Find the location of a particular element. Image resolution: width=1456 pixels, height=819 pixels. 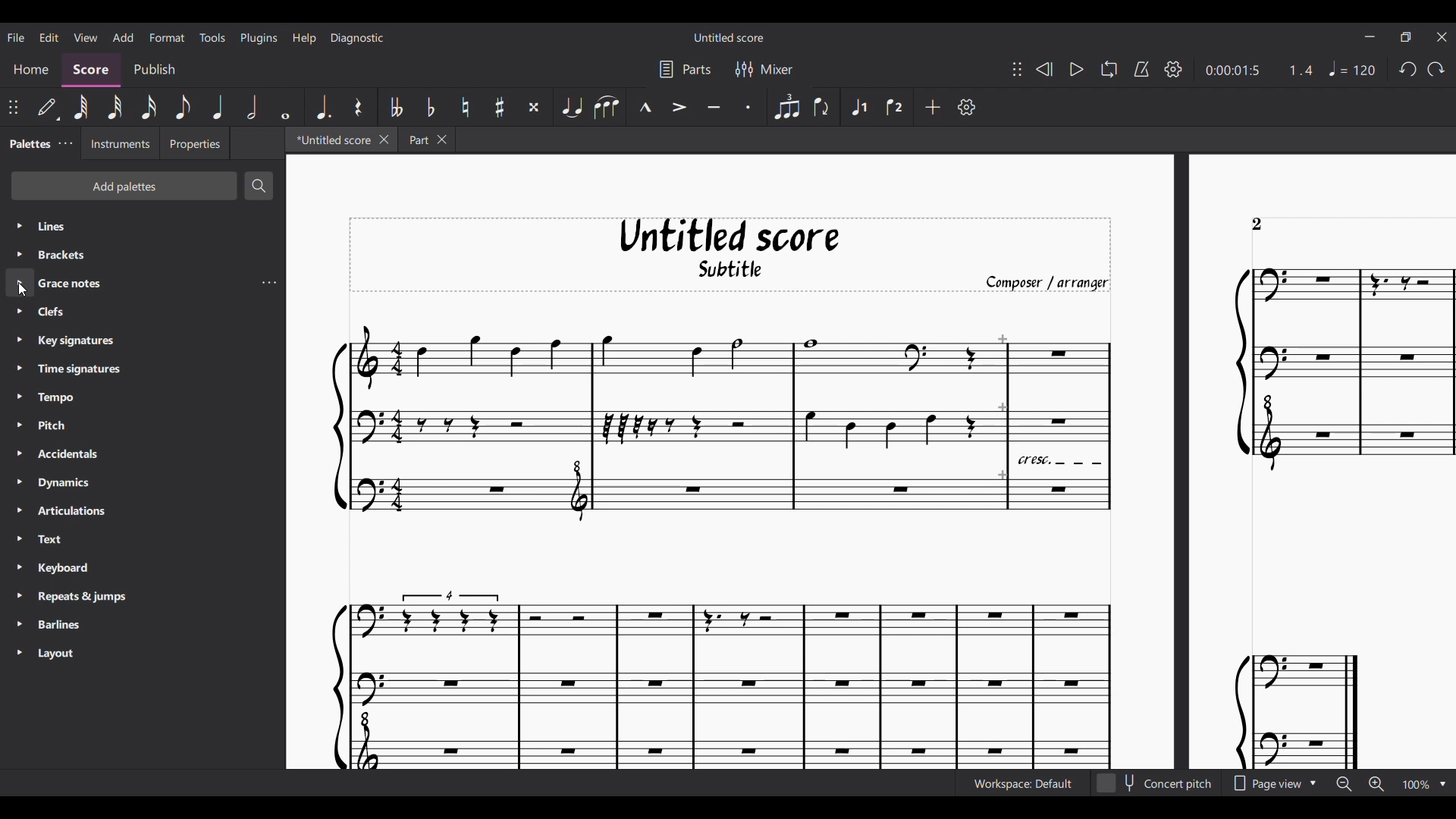

Staccato is located at coordinates (749, 106).